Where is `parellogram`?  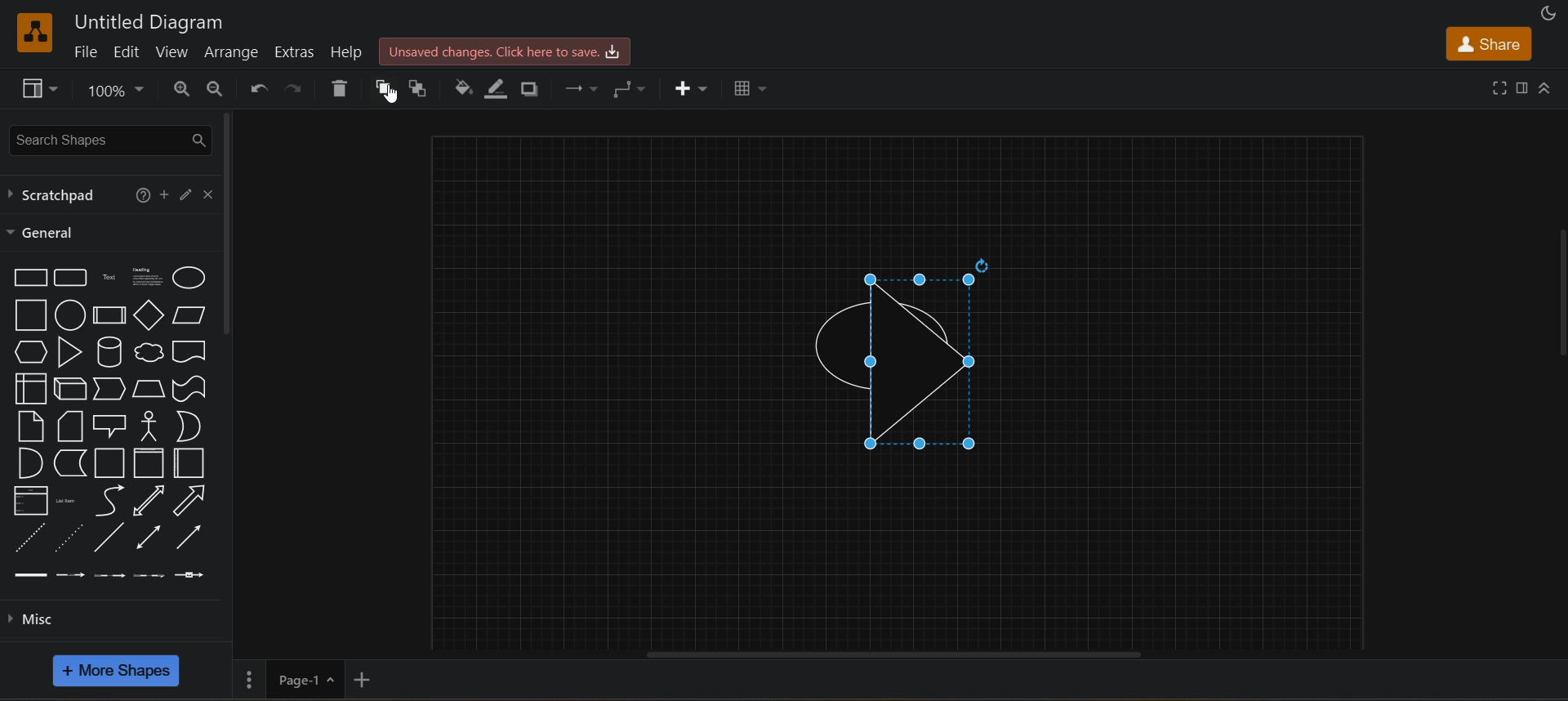
parellogram is located at coordinates (188, 315).